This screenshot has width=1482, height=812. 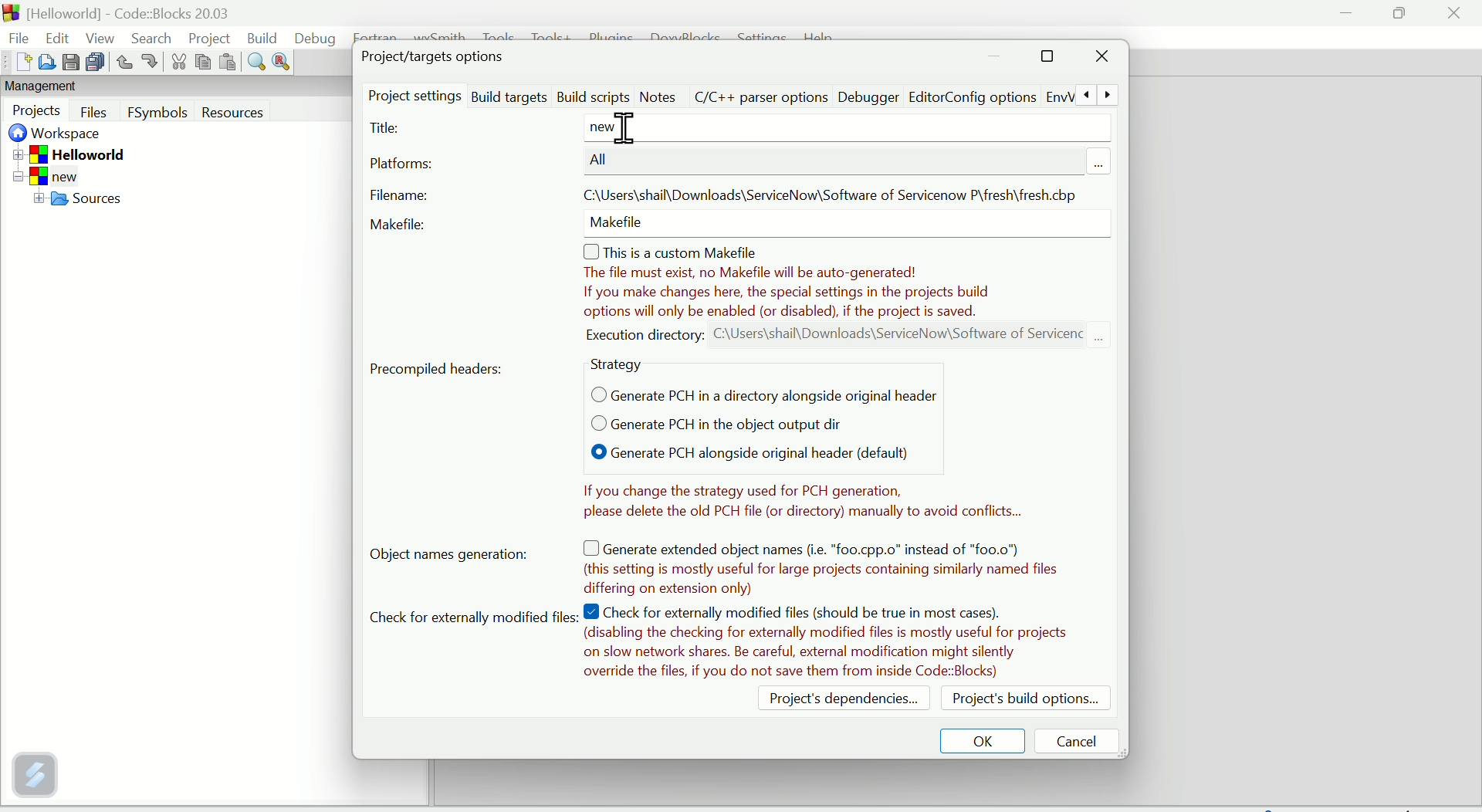 What do you see at coordinates (989, 96) in the screenshot?
I see `Editor Config options` at bounding box center [989, 96].